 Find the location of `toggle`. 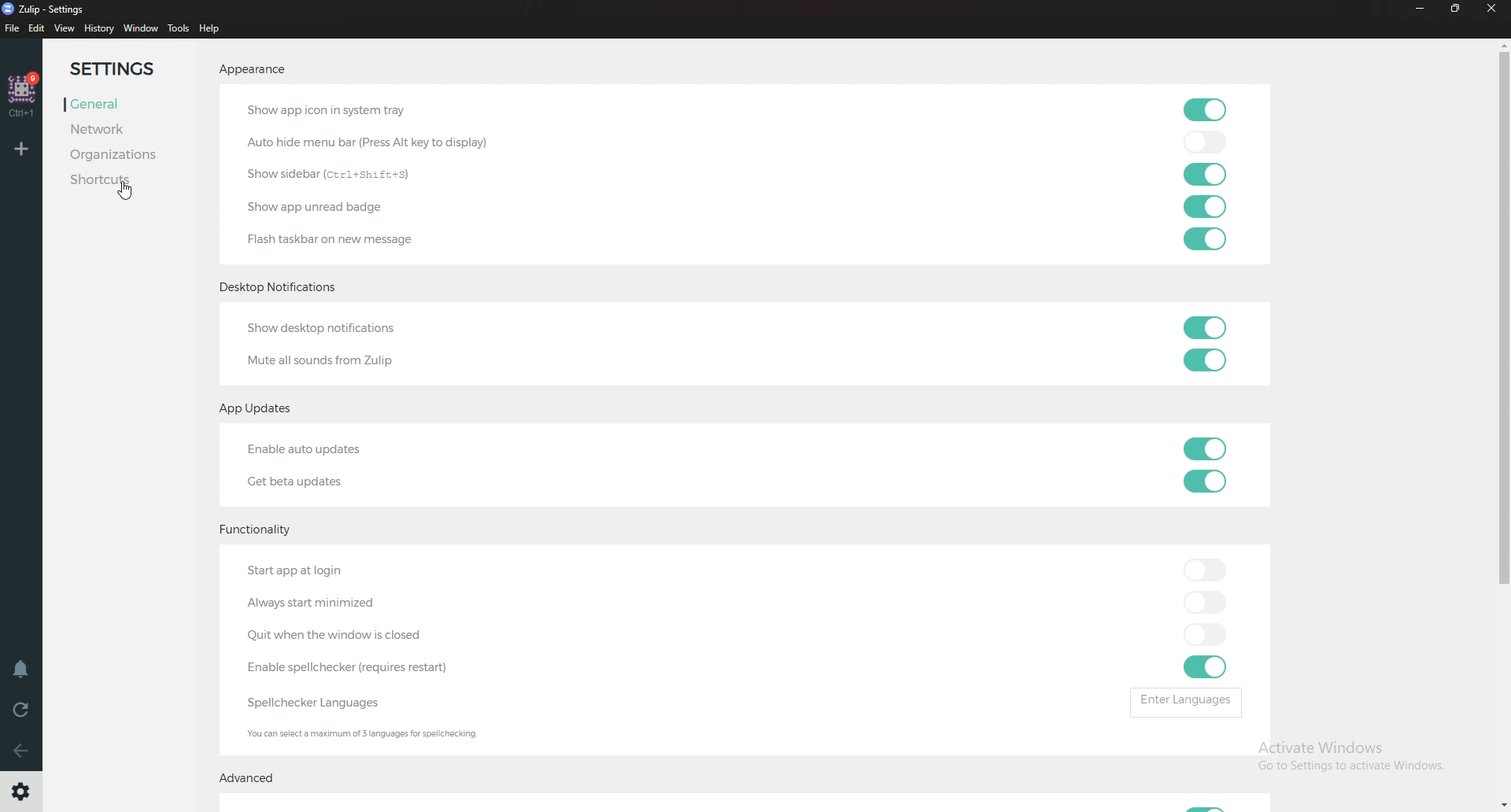

toggle is located at coordinates (1206, 238).